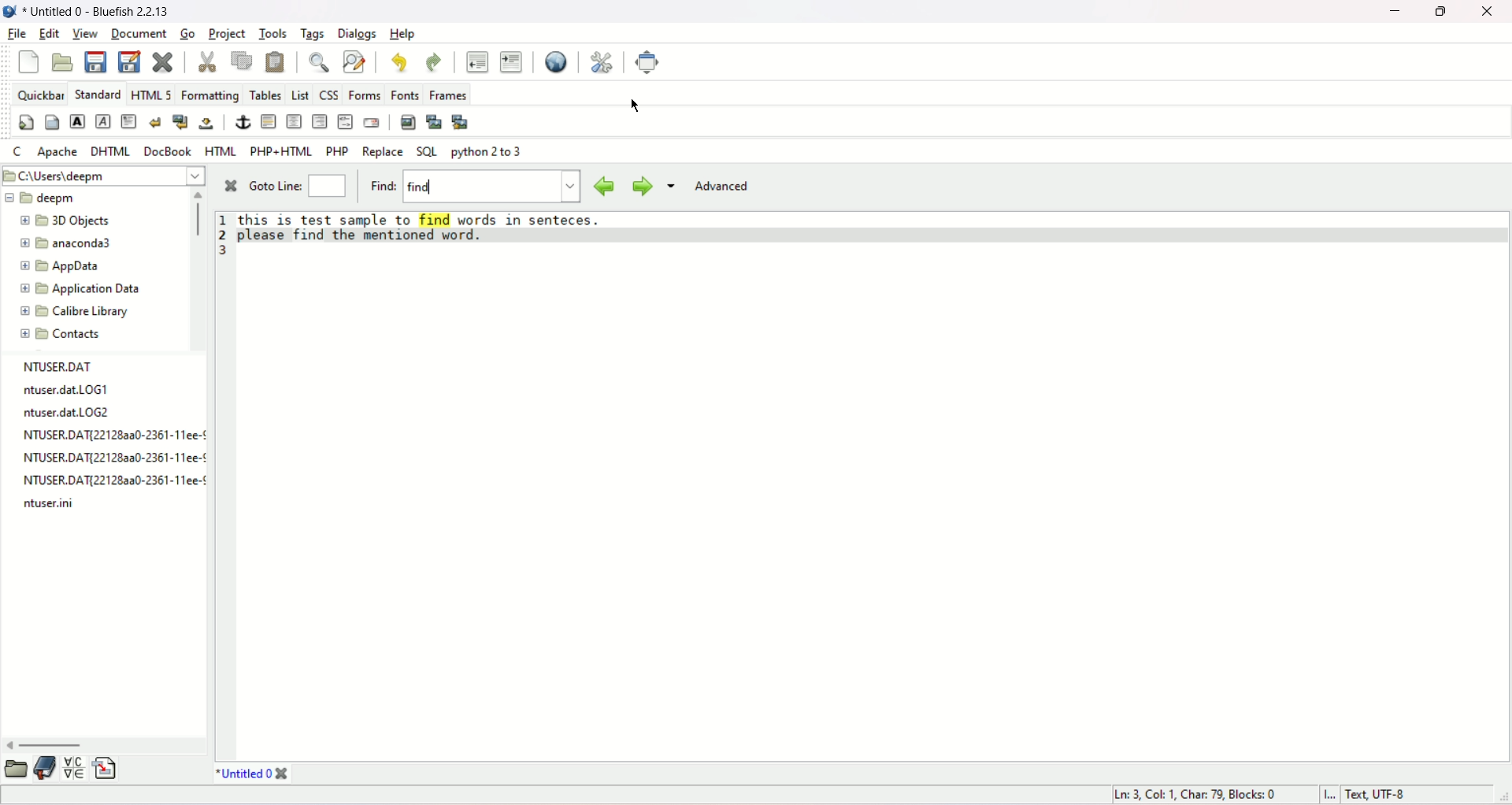  What do you see at coordinates (208, 61) in the screenshot?
I see `cut` at bounding box center [208, 61].